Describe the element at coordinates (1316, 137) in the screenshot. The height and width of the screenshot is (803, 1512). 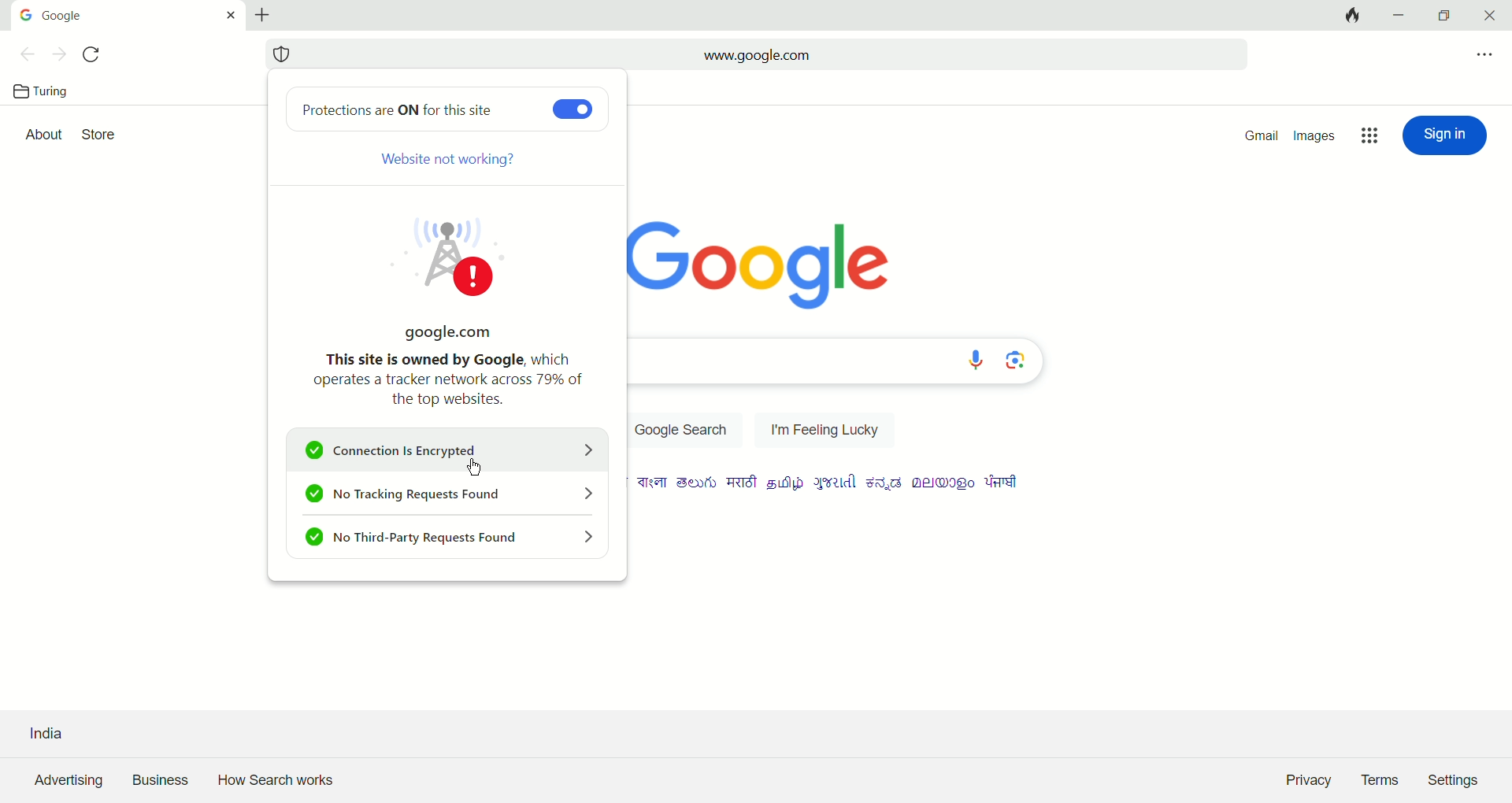
I see `images` at that location.